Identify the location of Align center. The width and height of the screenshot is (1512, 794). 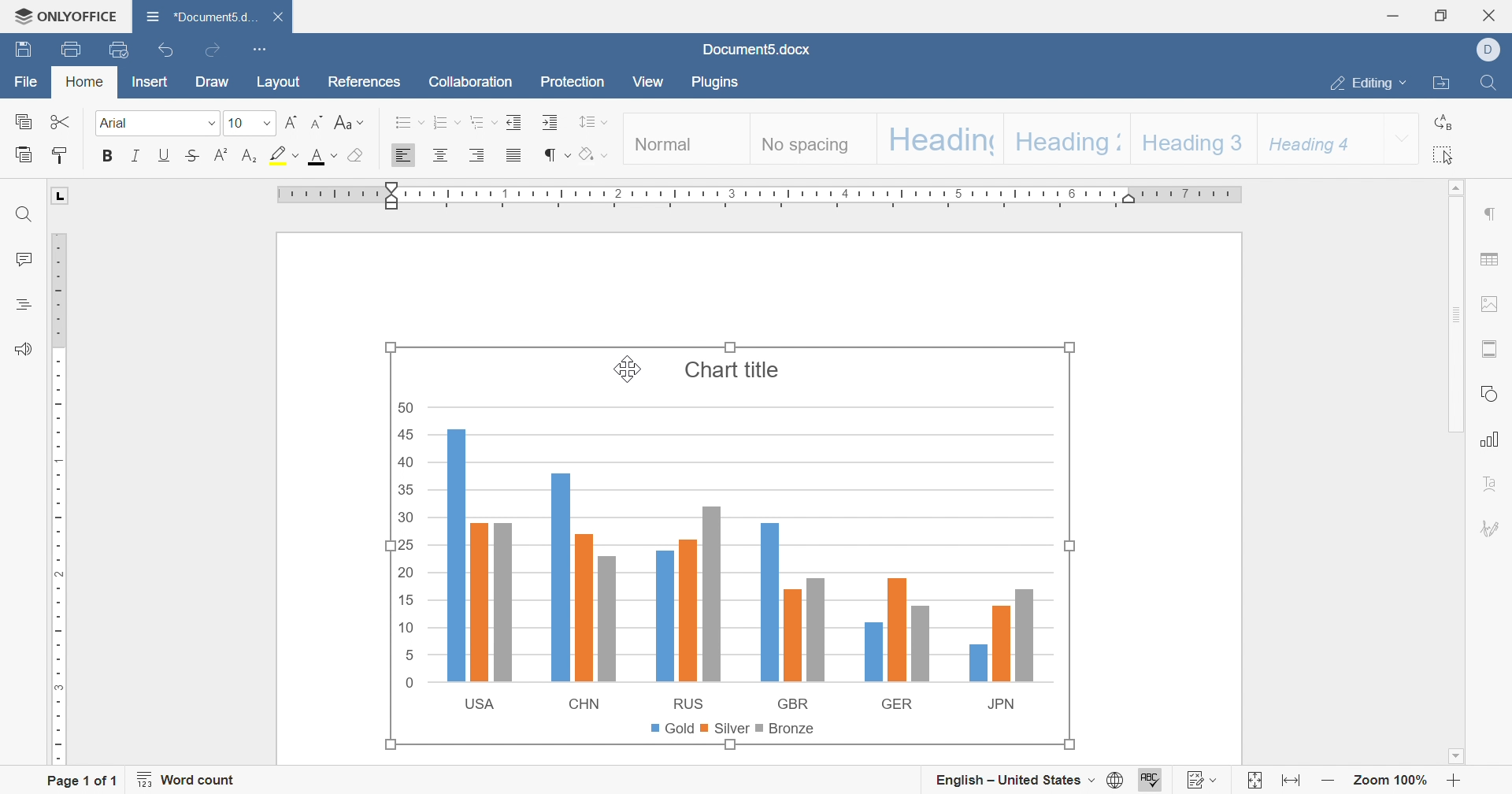
(440, 154).